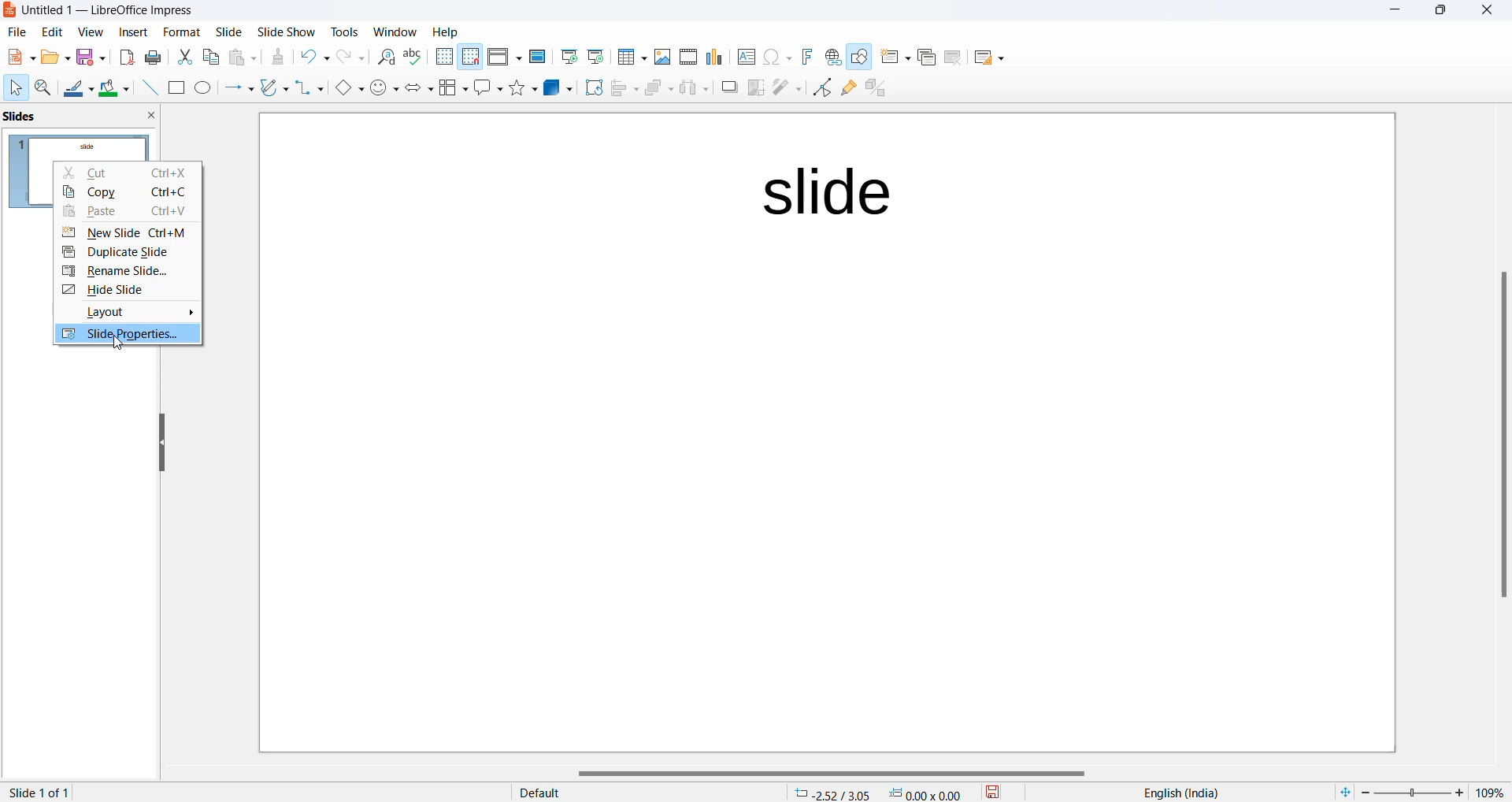 The image size is (1512, 802). I want to click on show glue point function, so click(850, 91).